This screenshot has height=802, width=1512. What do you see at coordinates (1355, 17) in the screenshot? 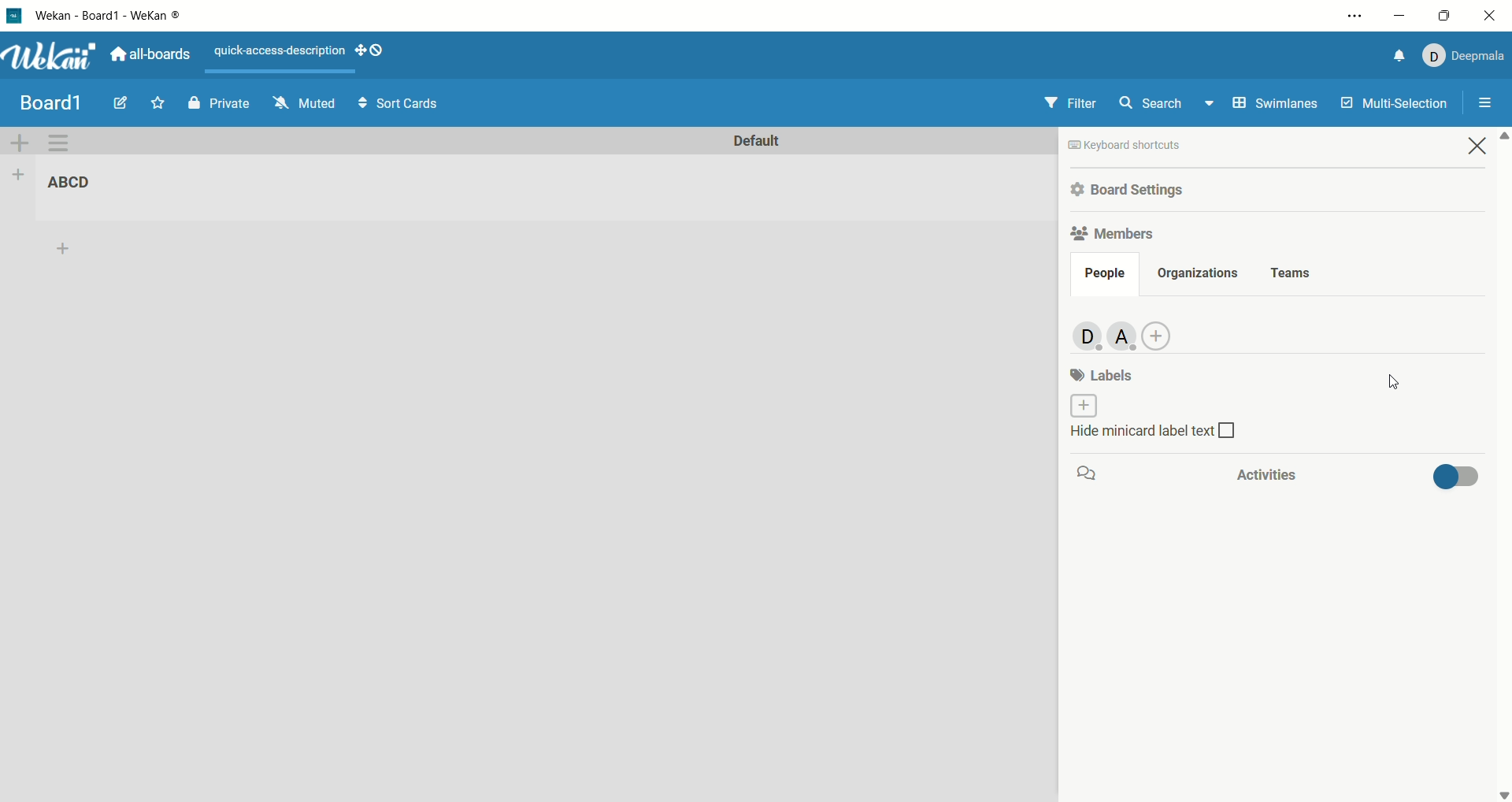
I see `settings and options` at bounding box center [1355, 17].